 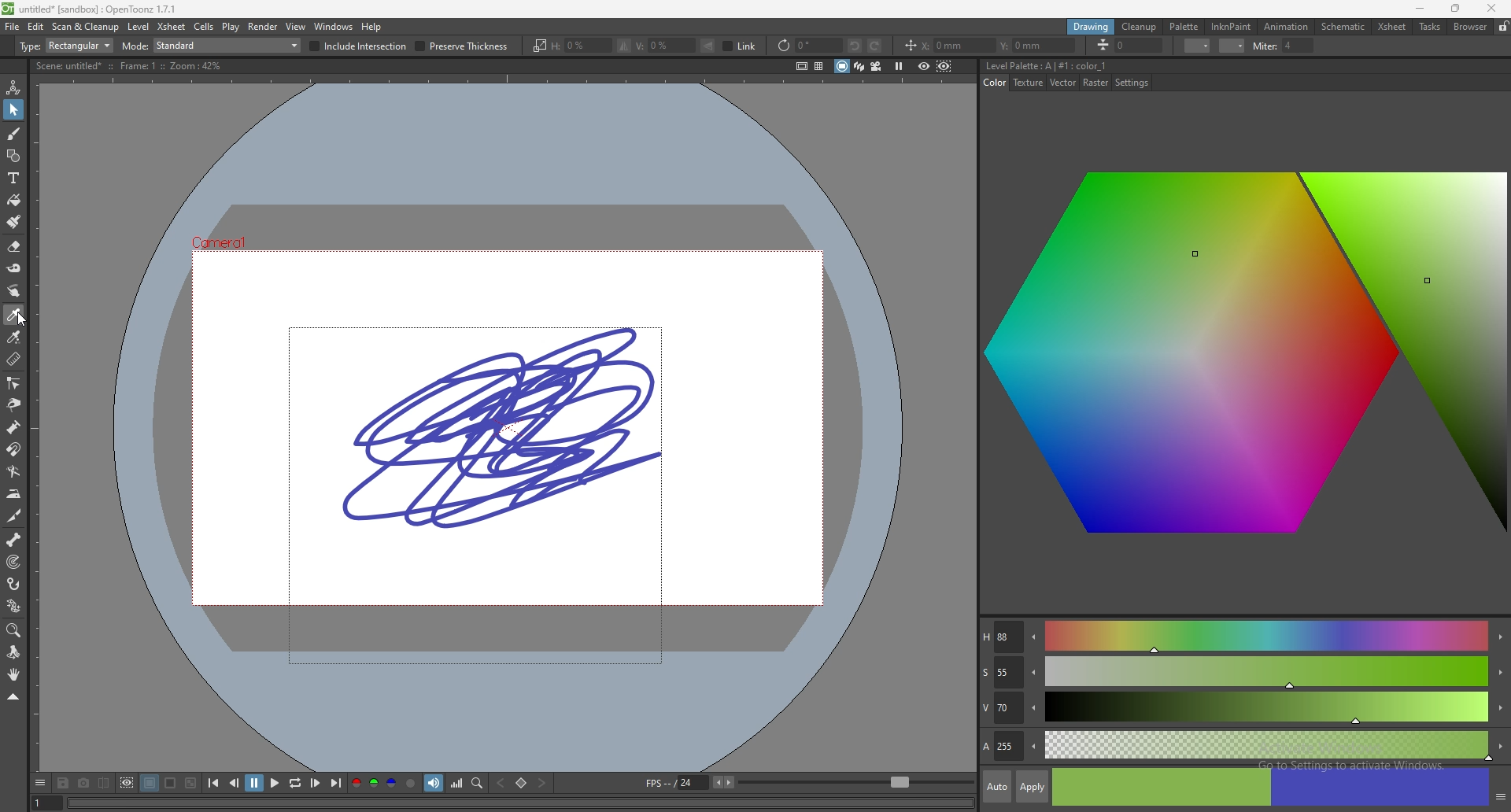 What do you see at coordinates (664, 46) in the screenshot?
I see `vertical` at bounding box center [664, 46].